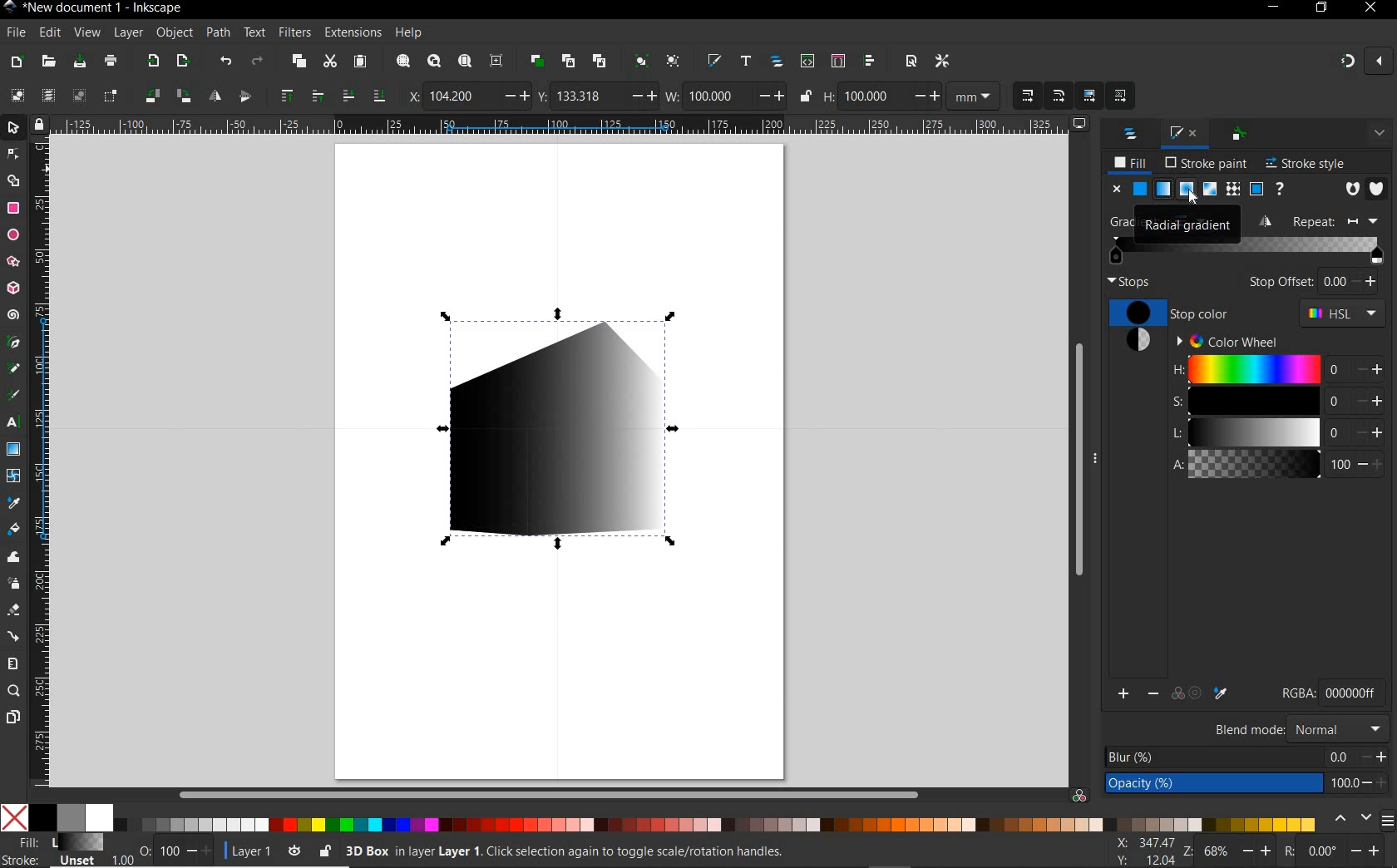 The height and width of the screenshot is (868, 1397). I want to click on star tool, so click(14, 264).